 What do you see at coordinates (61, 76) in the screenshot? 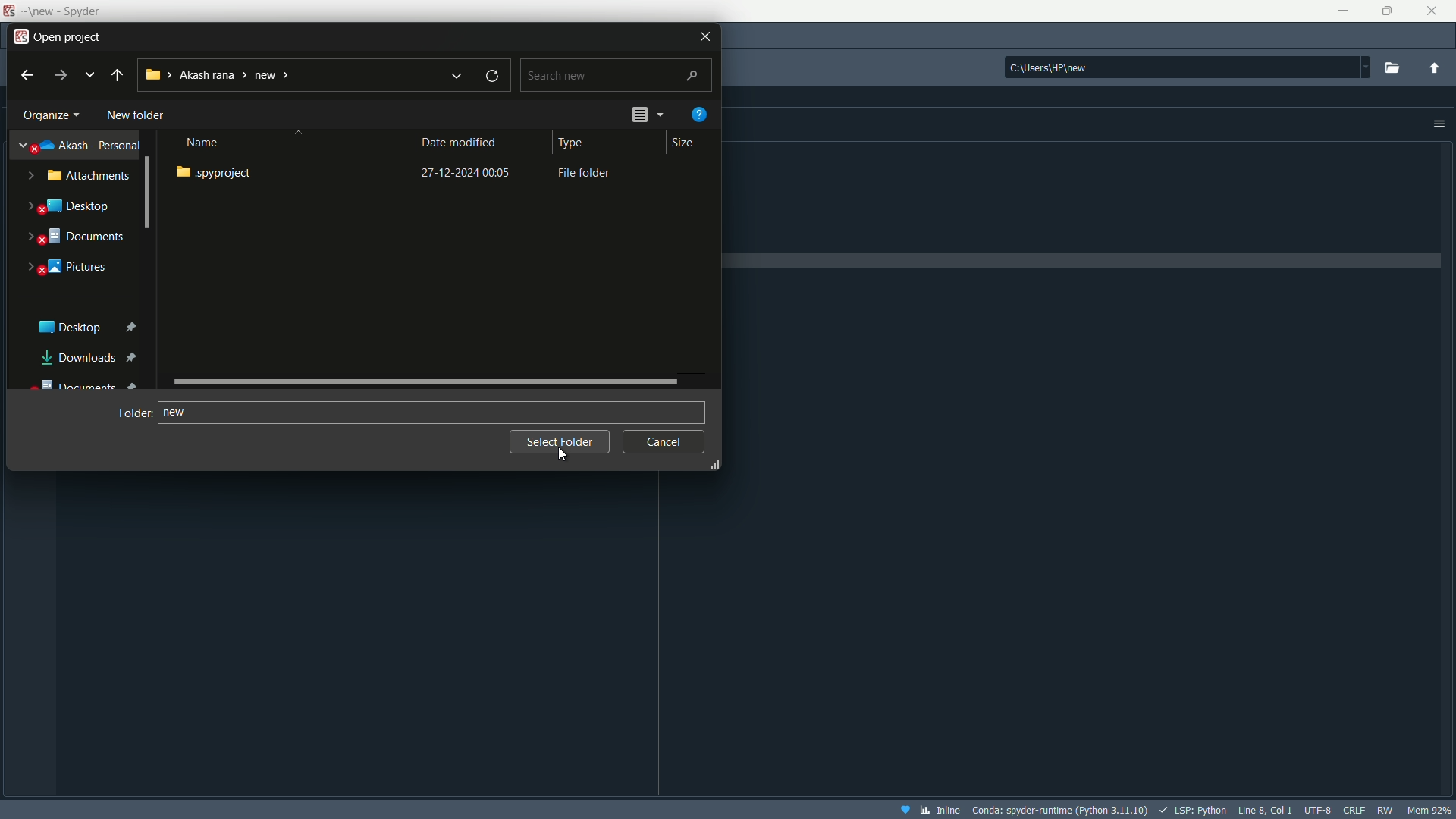
I see `forward` at bounding box center [61, 76].